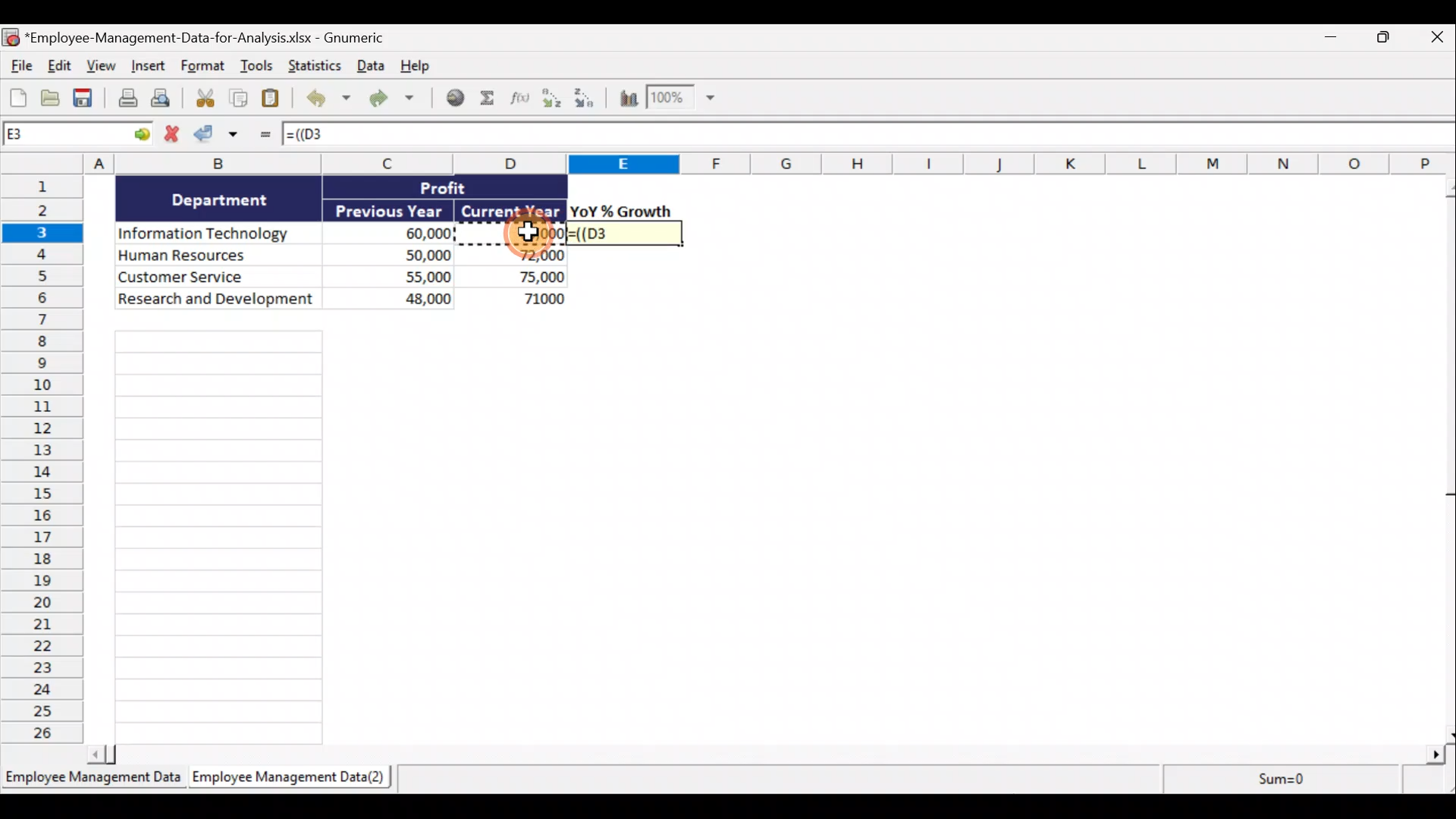 The image size is (1456, 819). Describe the element at coordinates (239, 99) in the screenshot. I see `Copy selection` at that location.